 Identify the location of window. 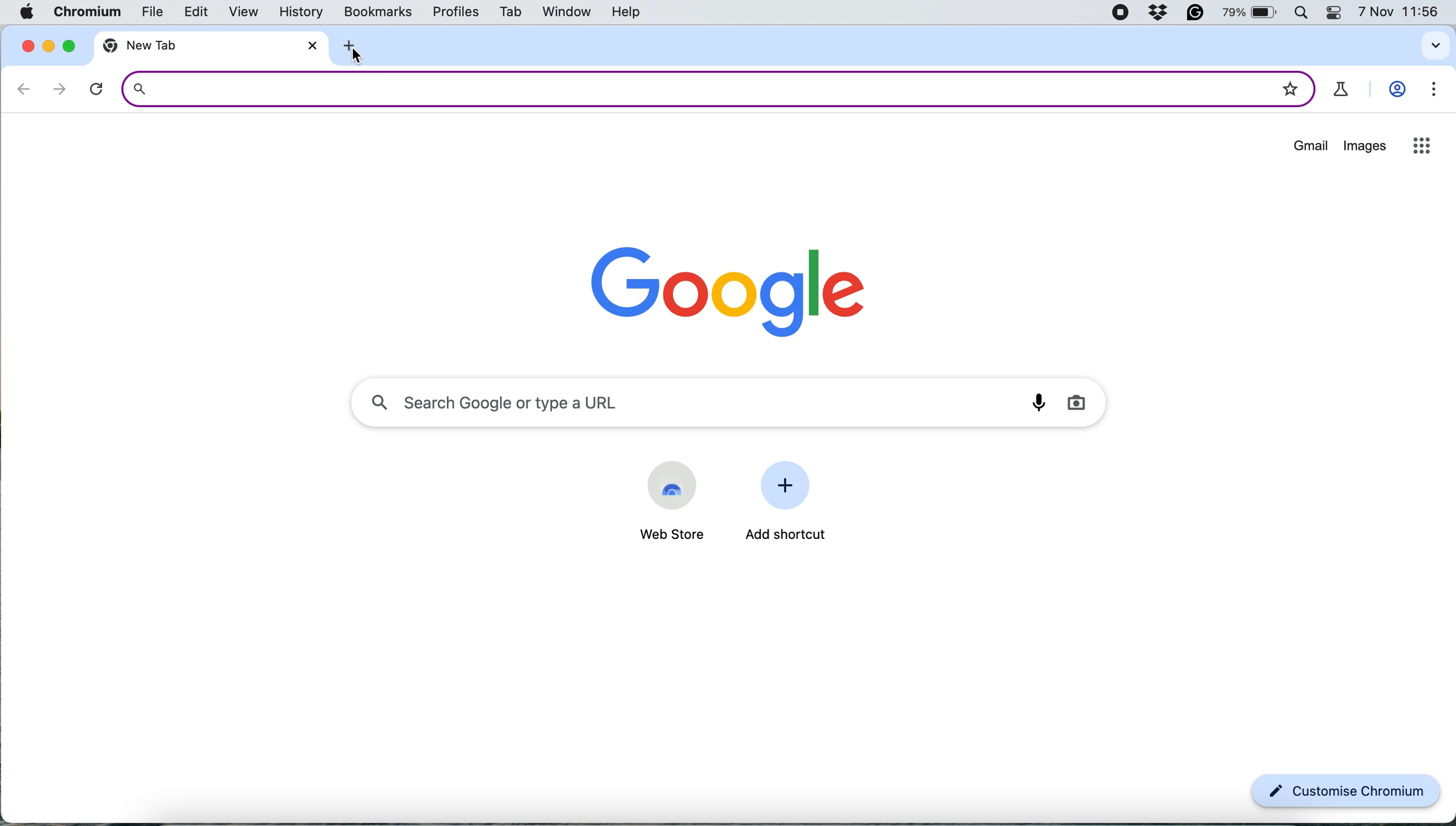
(567, 12).